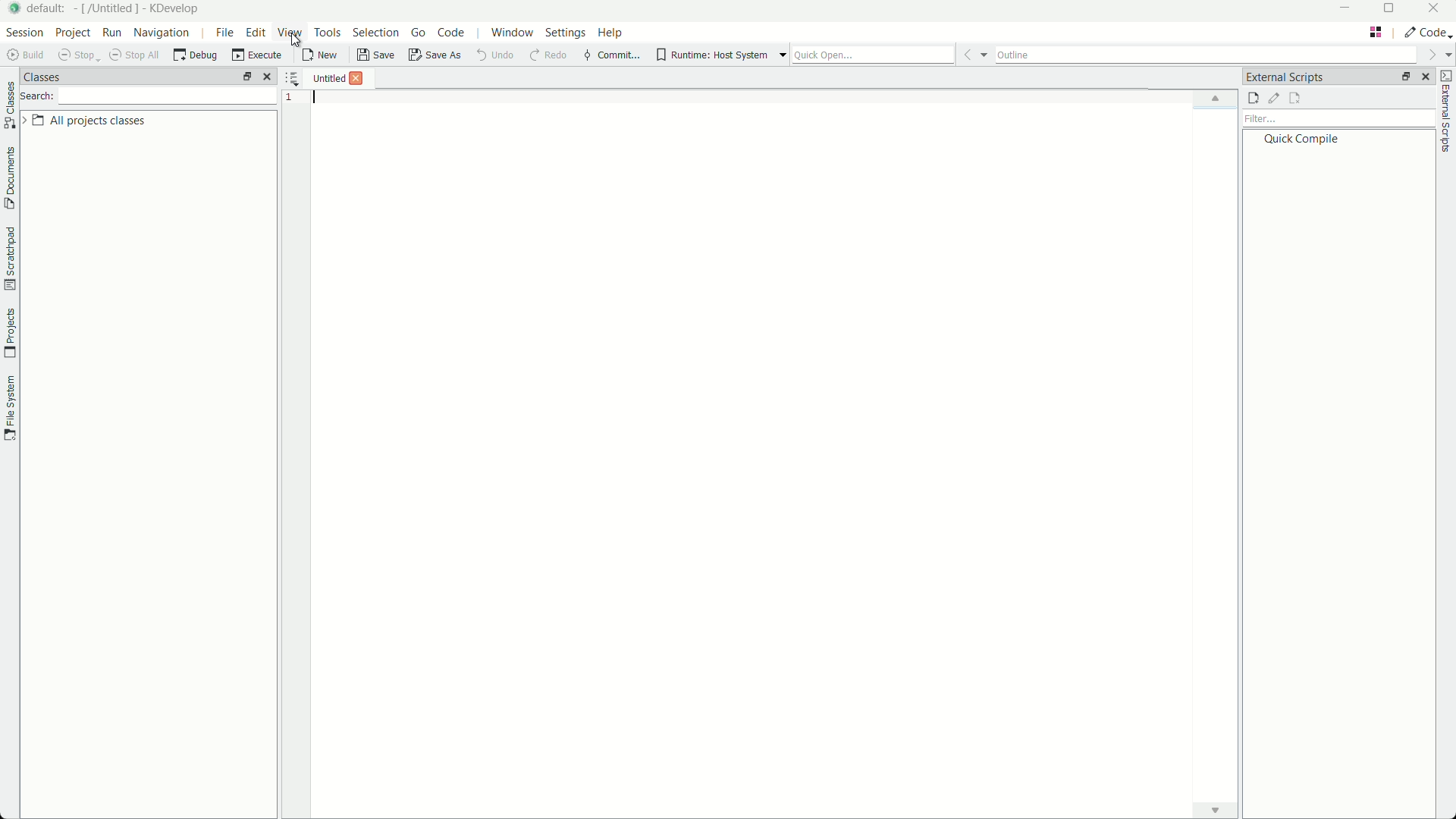 The height and width of the screenshot is (819, 1456). What do you see at coordinates (546, 55) in the screenshot?
I see `redo` at bounding box center [546, 55].